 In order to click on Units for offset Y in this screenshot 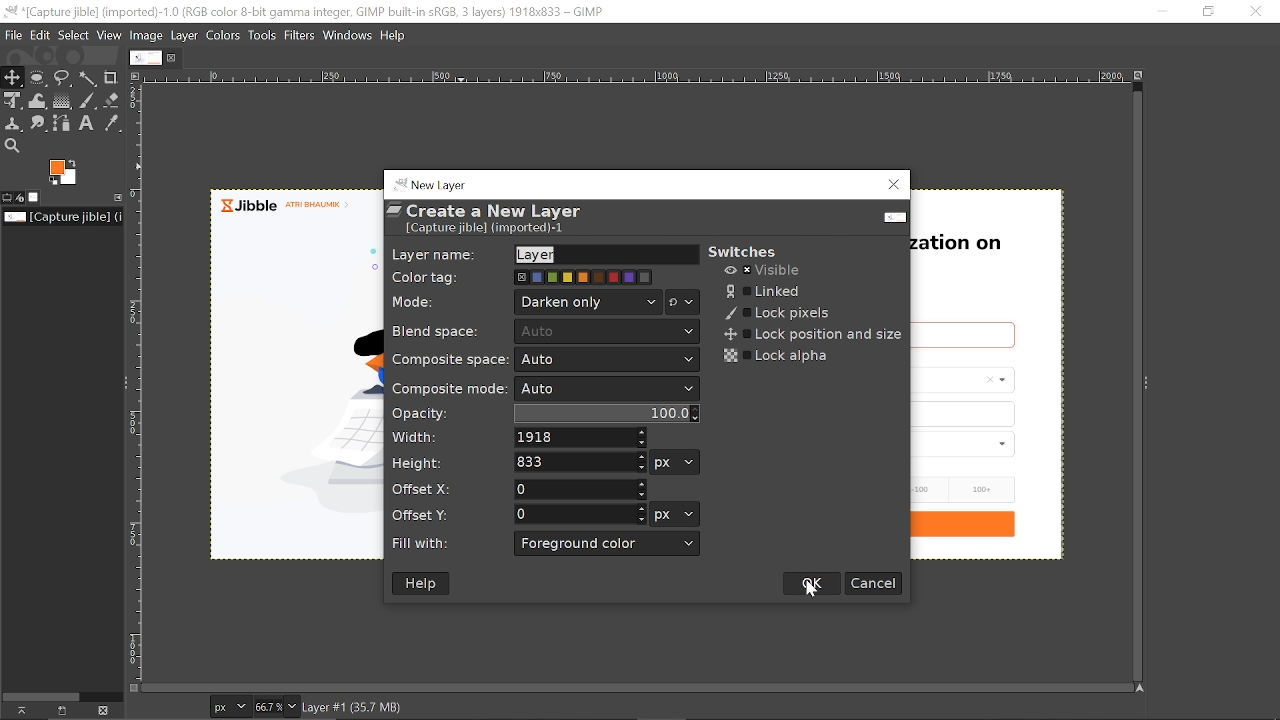, I will do `click(676, 515)`.